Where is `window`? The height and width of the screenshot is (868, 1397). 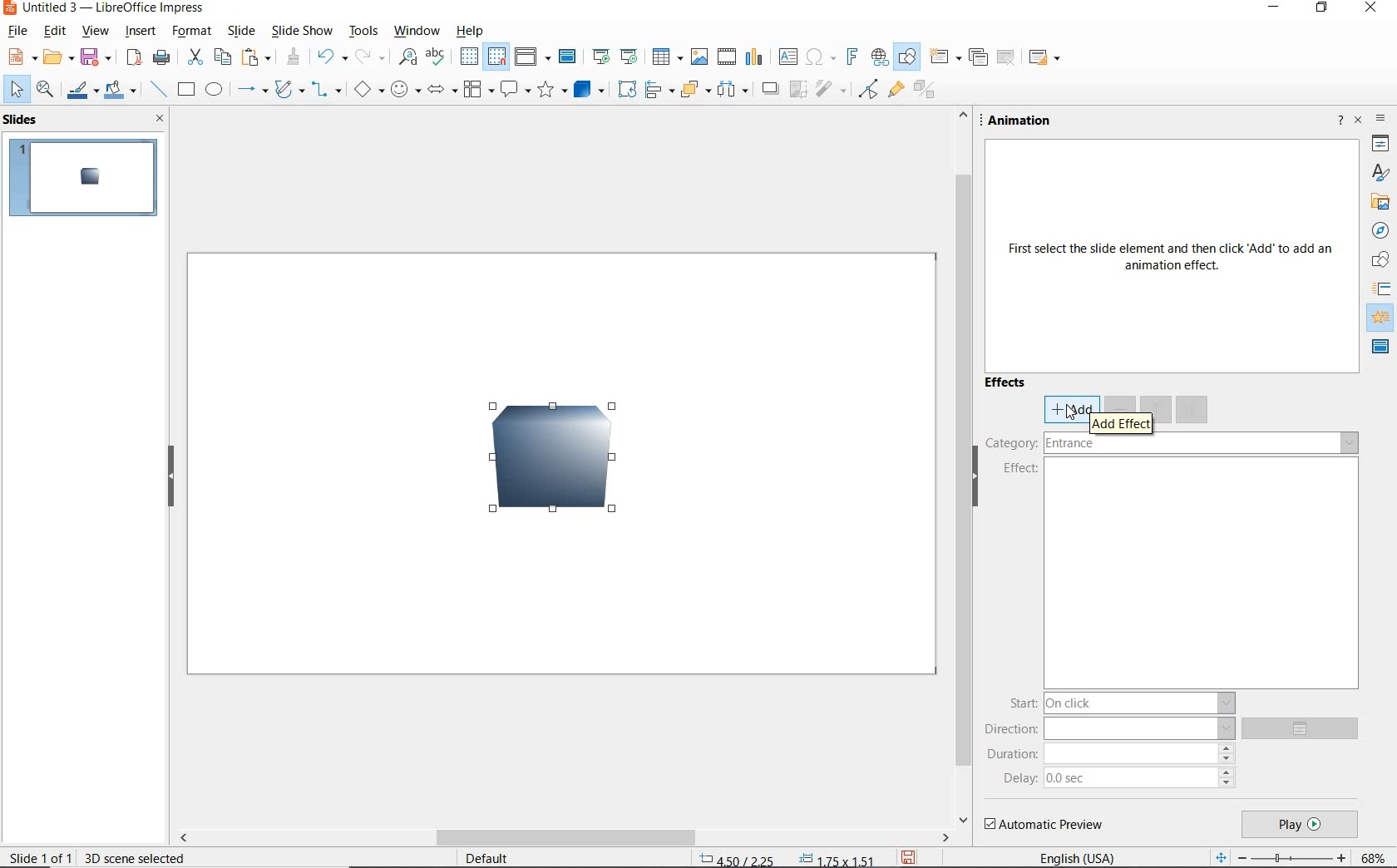
window is located at coordinates (415, 31).